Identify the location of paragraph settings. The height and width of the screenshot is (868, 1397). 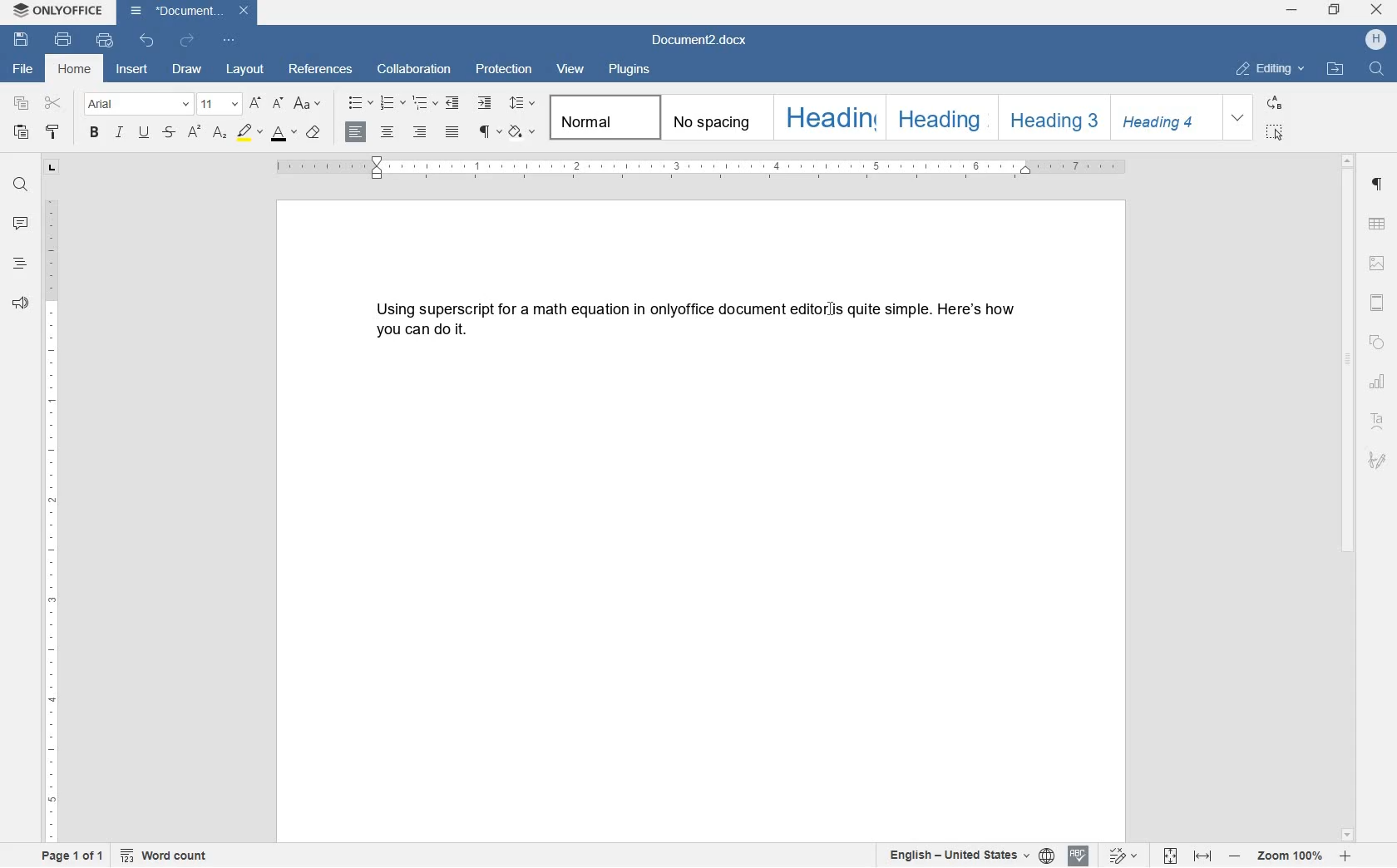
(1378, 185).